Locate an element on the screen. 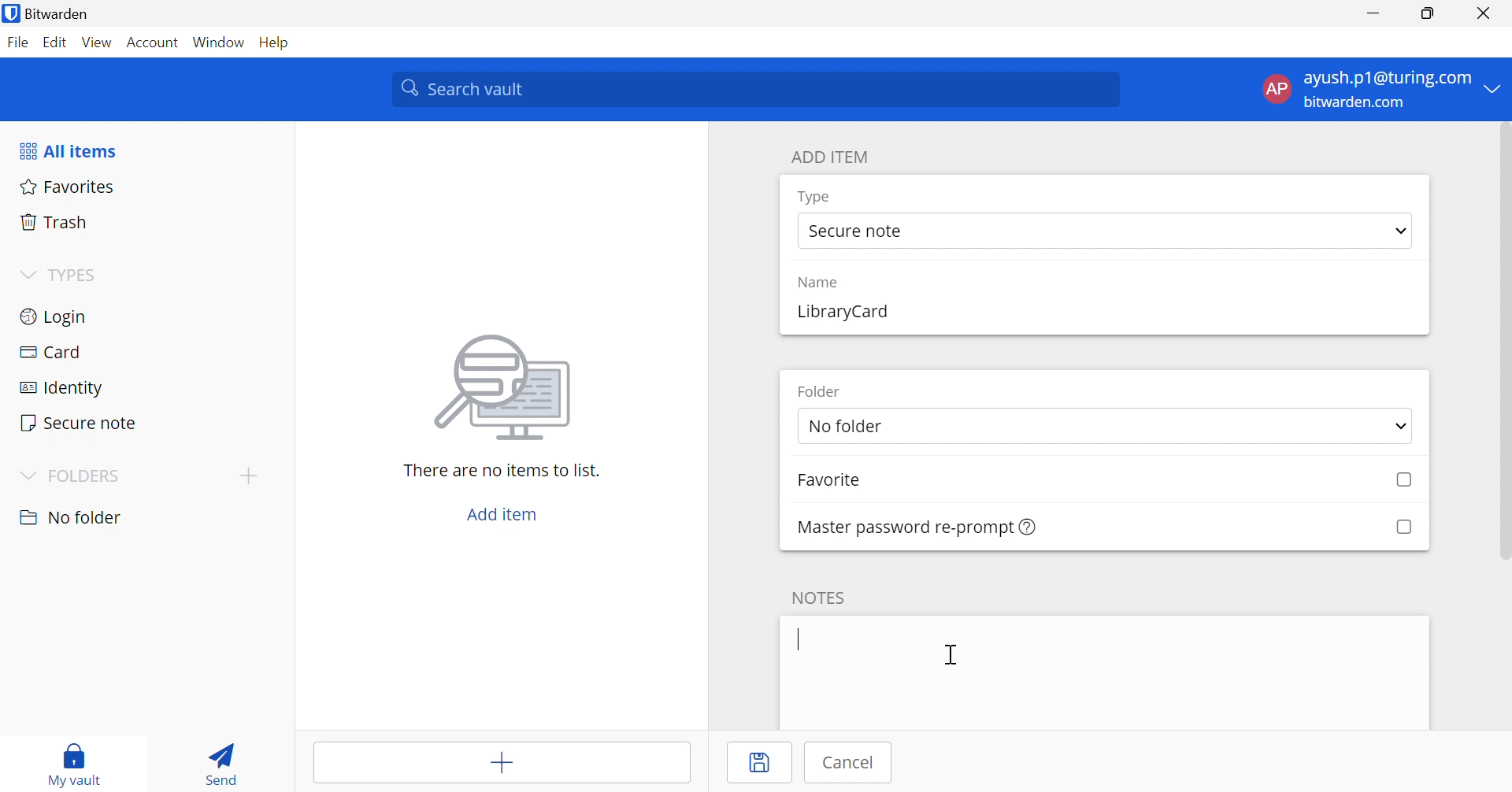  nO FOLDER is located at coordinates (74, 517).